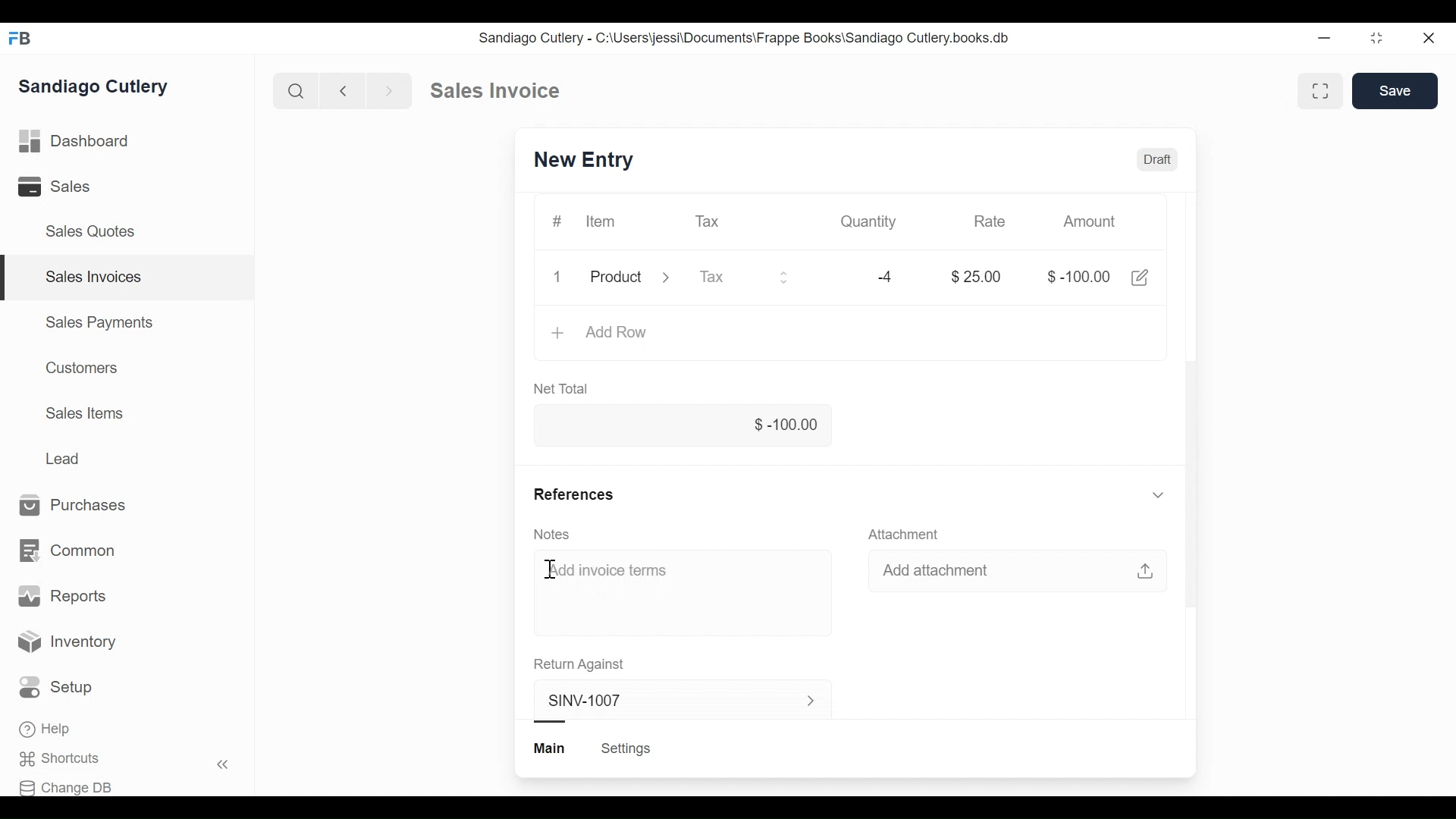 The image size is (1456, 819). Describe the element at coordinates (1321, 91) in the screenshot. I see `Toggle between form and full width` at that location.